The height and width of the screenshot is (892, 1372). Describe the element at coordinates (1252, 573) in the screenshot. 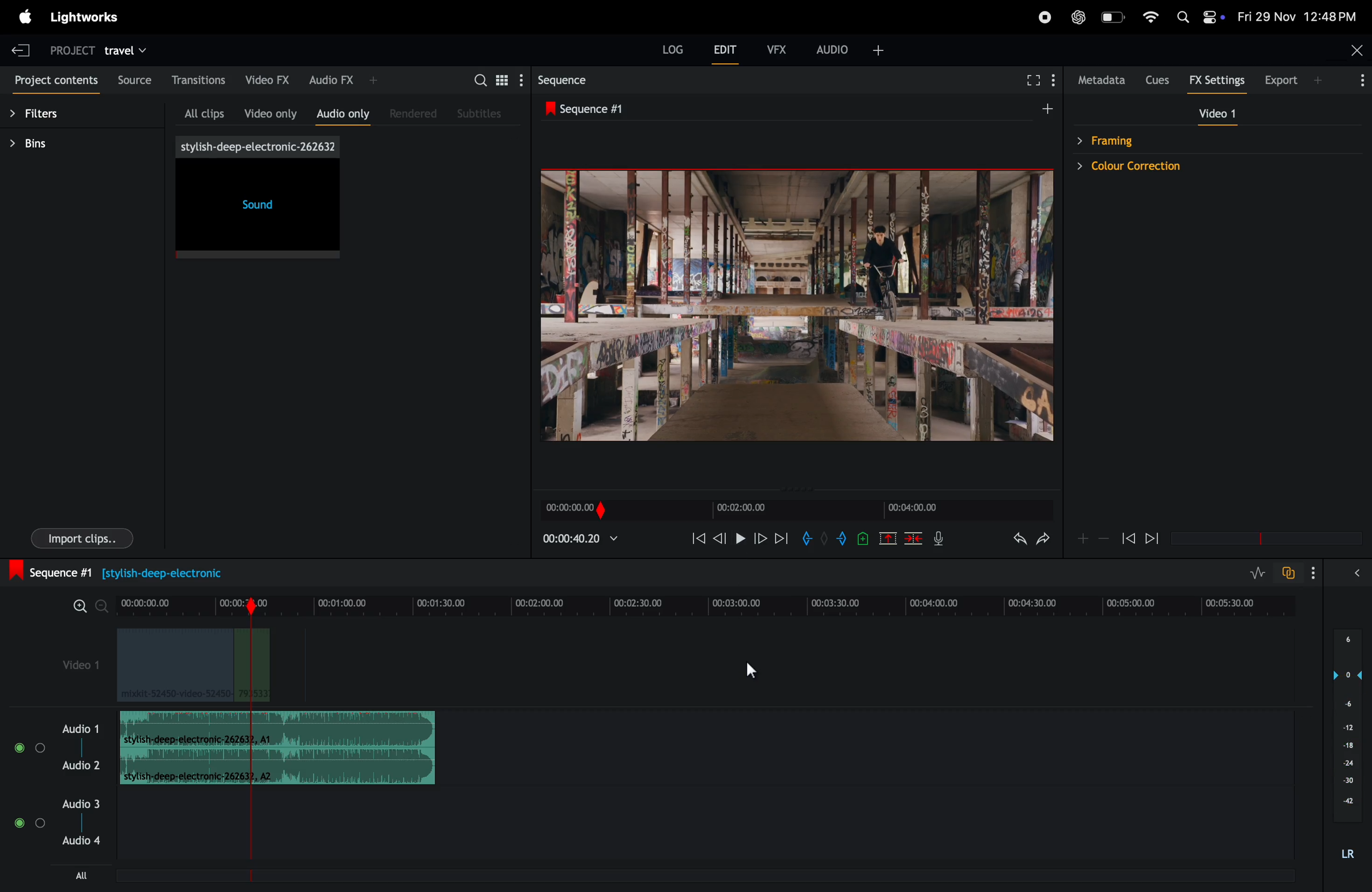

I see `toggle audio editing levels` at that location.